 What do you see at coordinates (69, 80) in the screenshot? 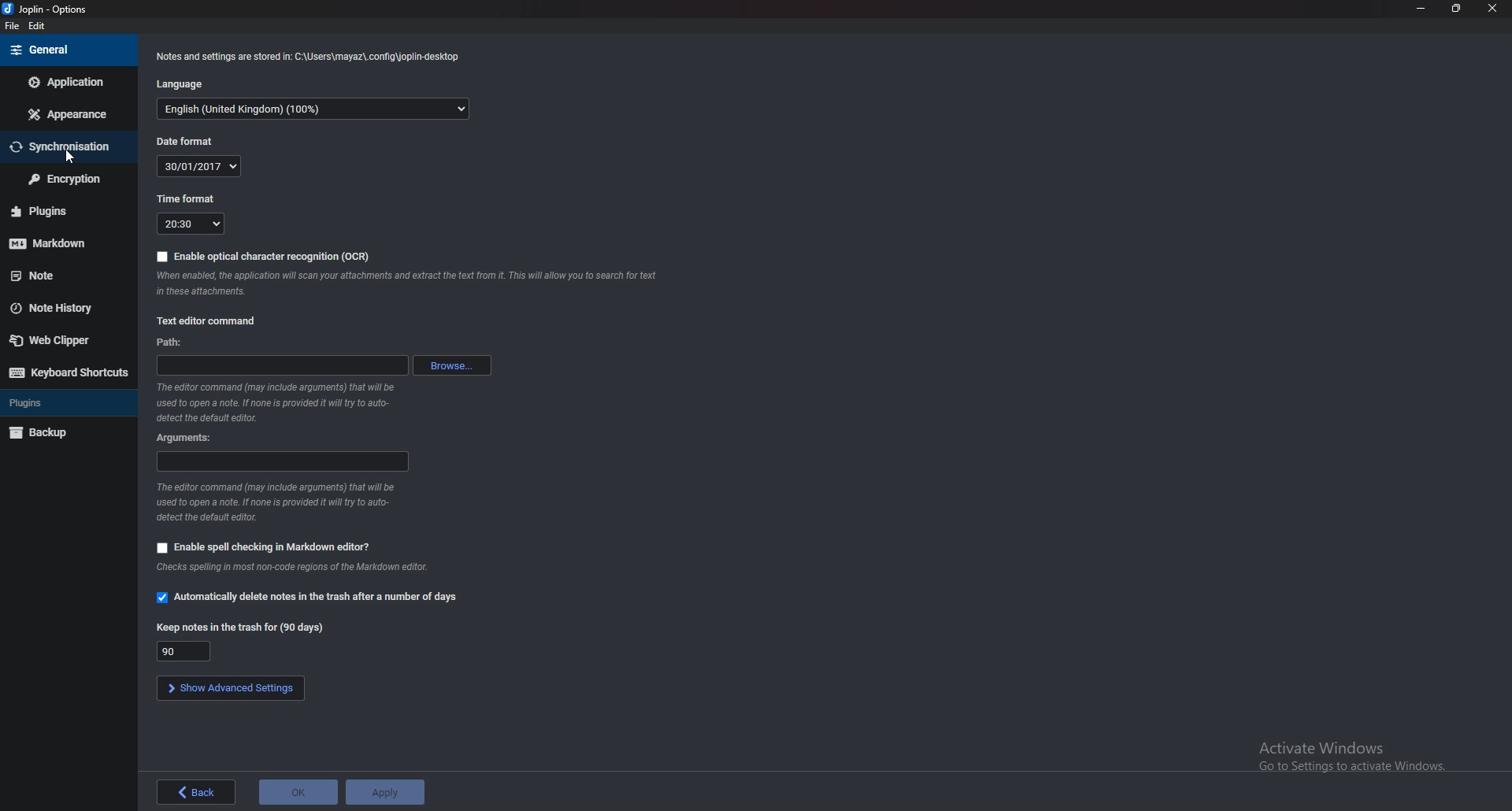
I see `application` at bounding box center [69, 80].